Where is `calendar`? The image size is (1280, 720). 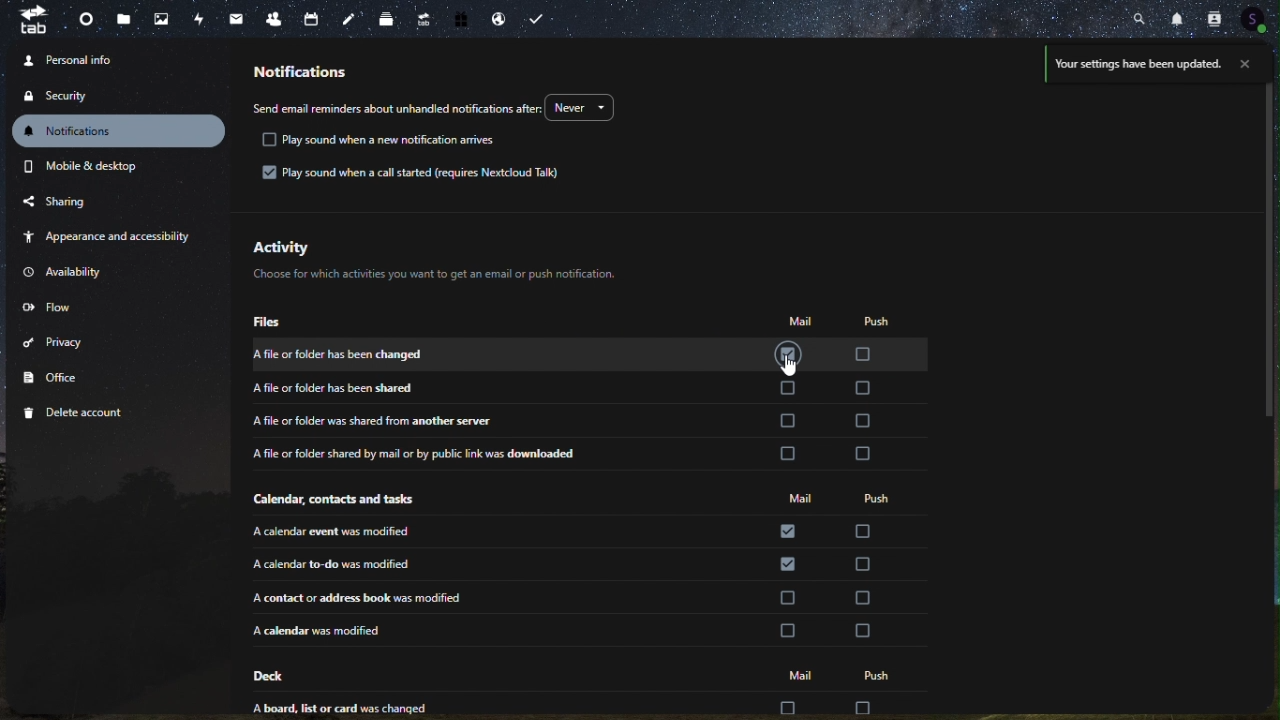 calendar is located at coordinates (314, 17).